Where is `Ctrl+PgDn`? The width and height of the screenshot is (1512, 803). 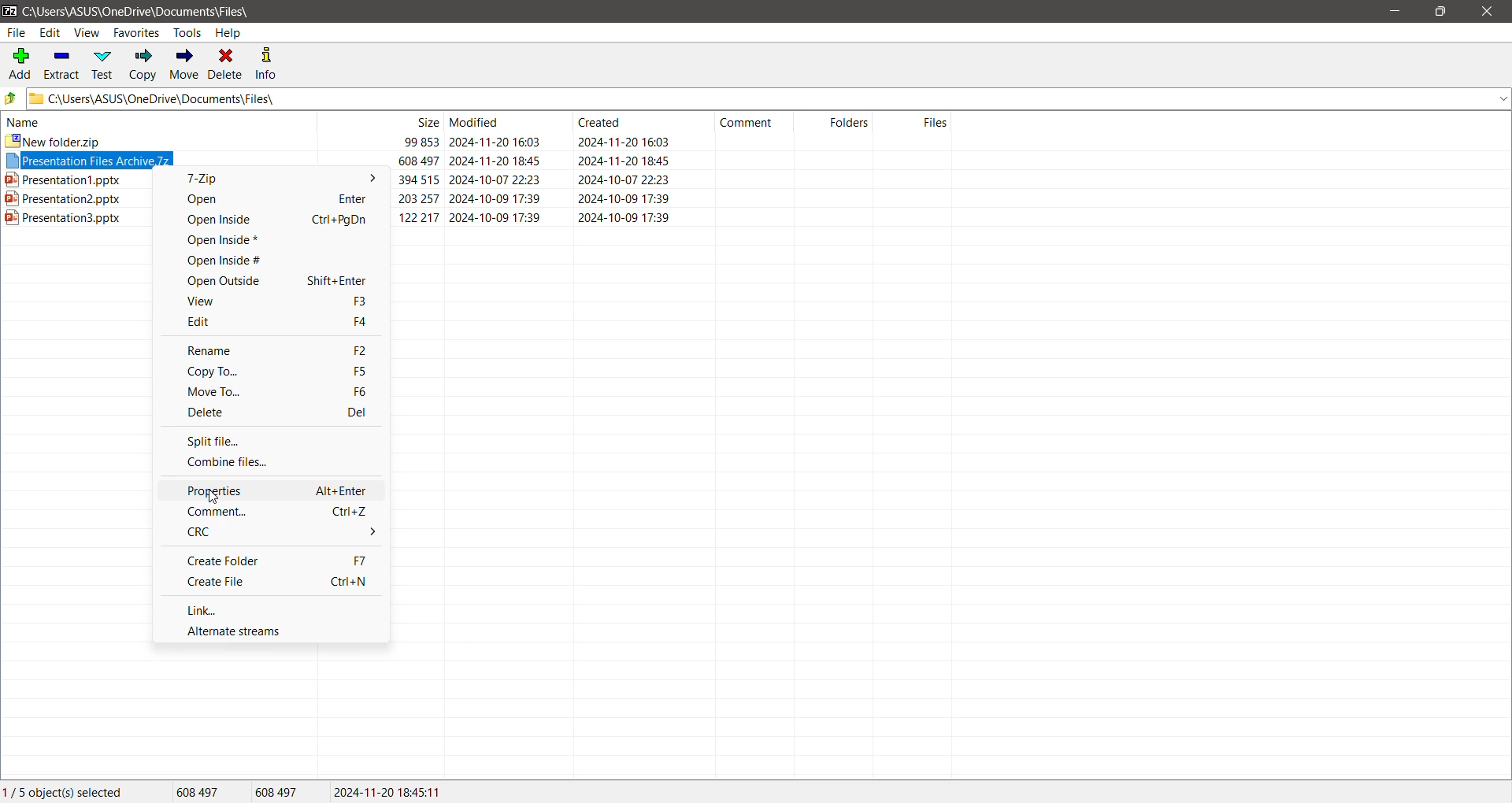
Ctrl+PgDn is located at coordinates (333, 220).